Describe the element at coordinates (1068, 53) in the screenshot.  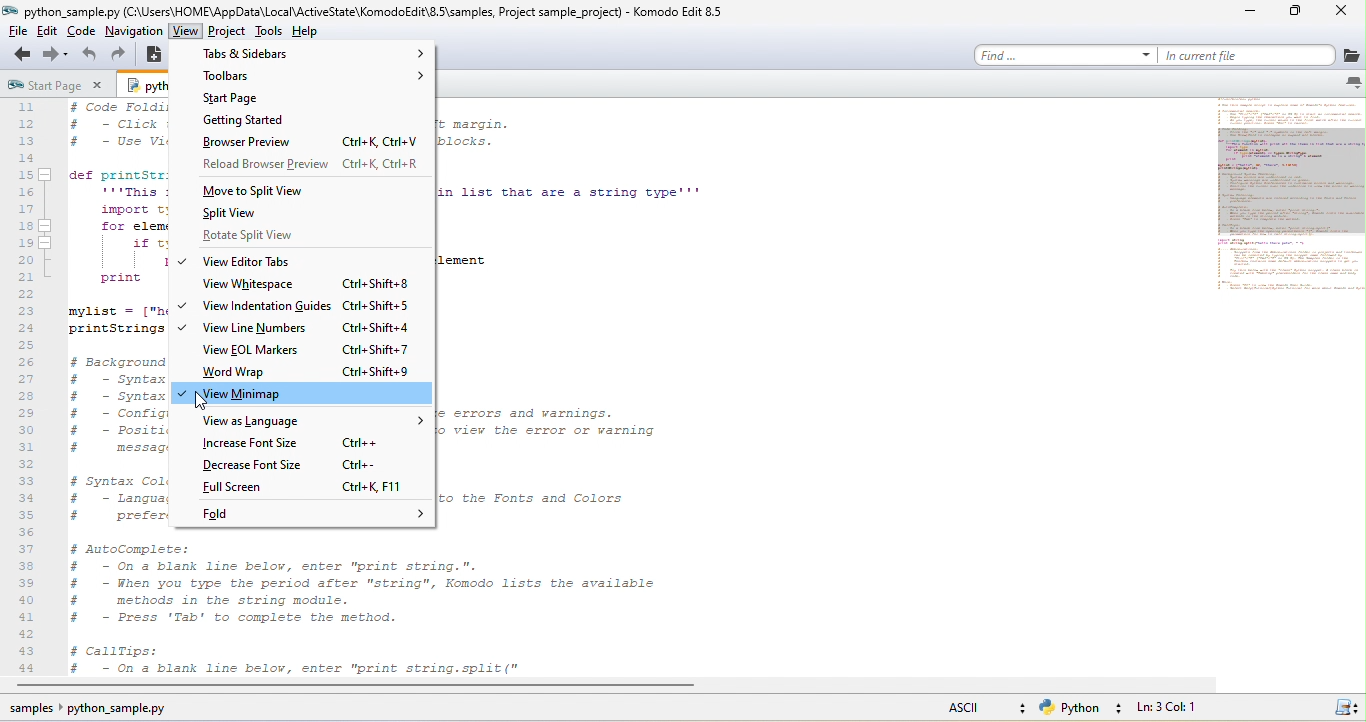
I see `find` at that location.